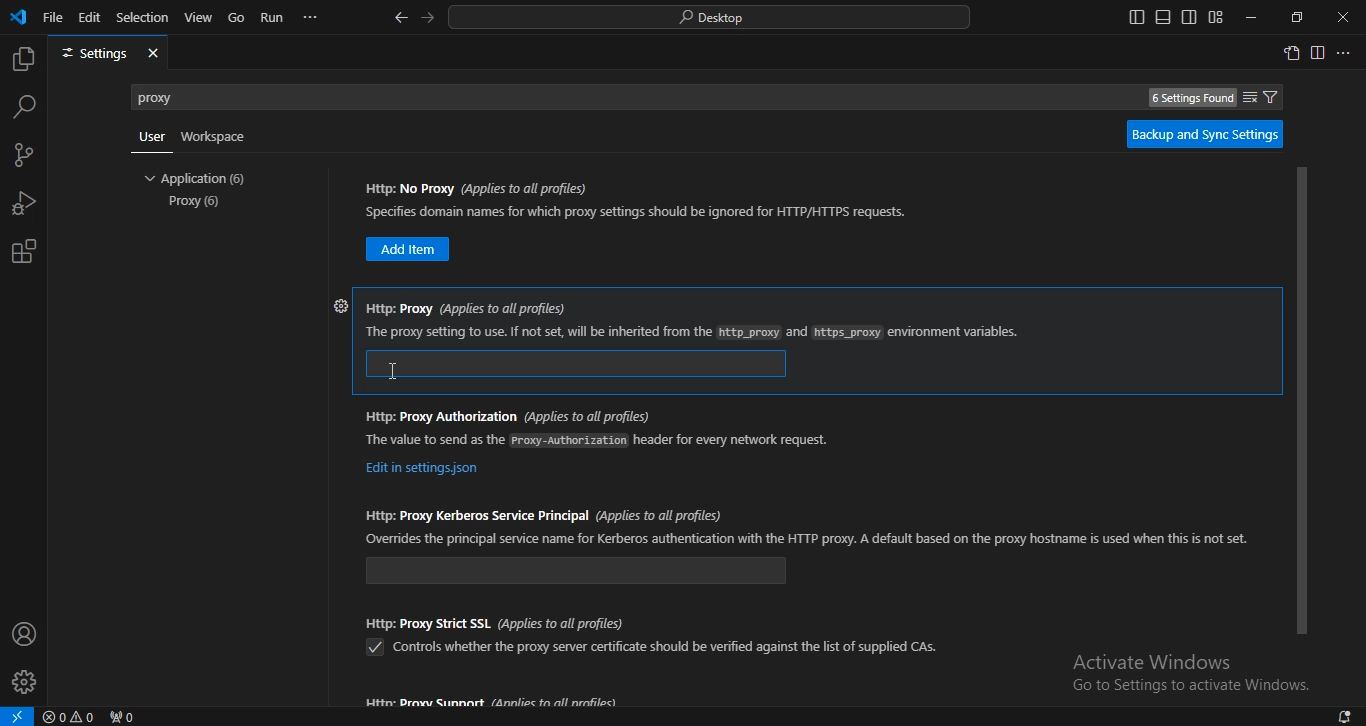 The image size is (1366, 726). I want to click on https: proxy kerberos service principal, so click(543, 512).